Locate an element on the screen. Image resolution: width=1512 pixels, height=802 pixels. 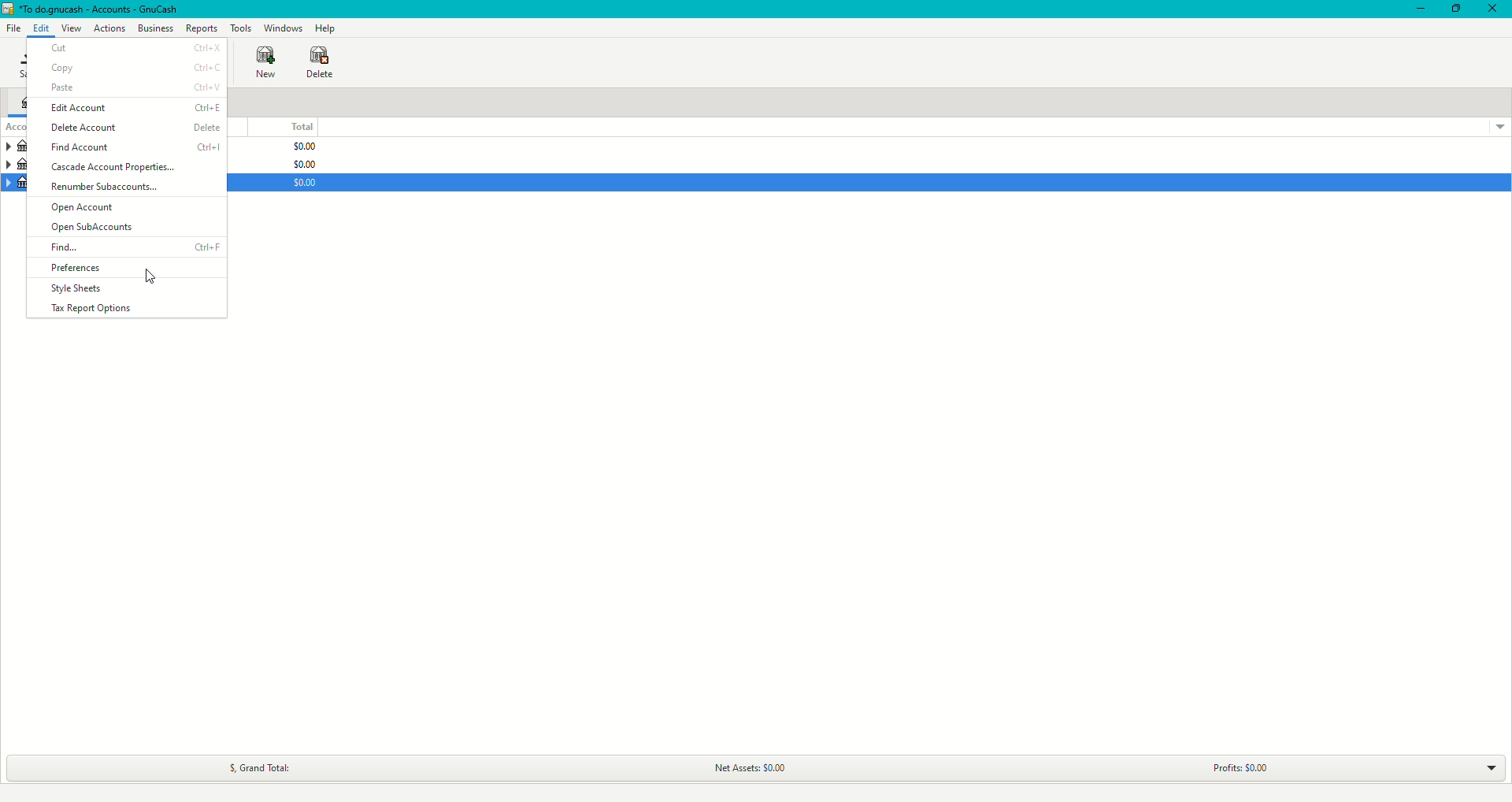
Minimize is located at coordinates (1421, 9).